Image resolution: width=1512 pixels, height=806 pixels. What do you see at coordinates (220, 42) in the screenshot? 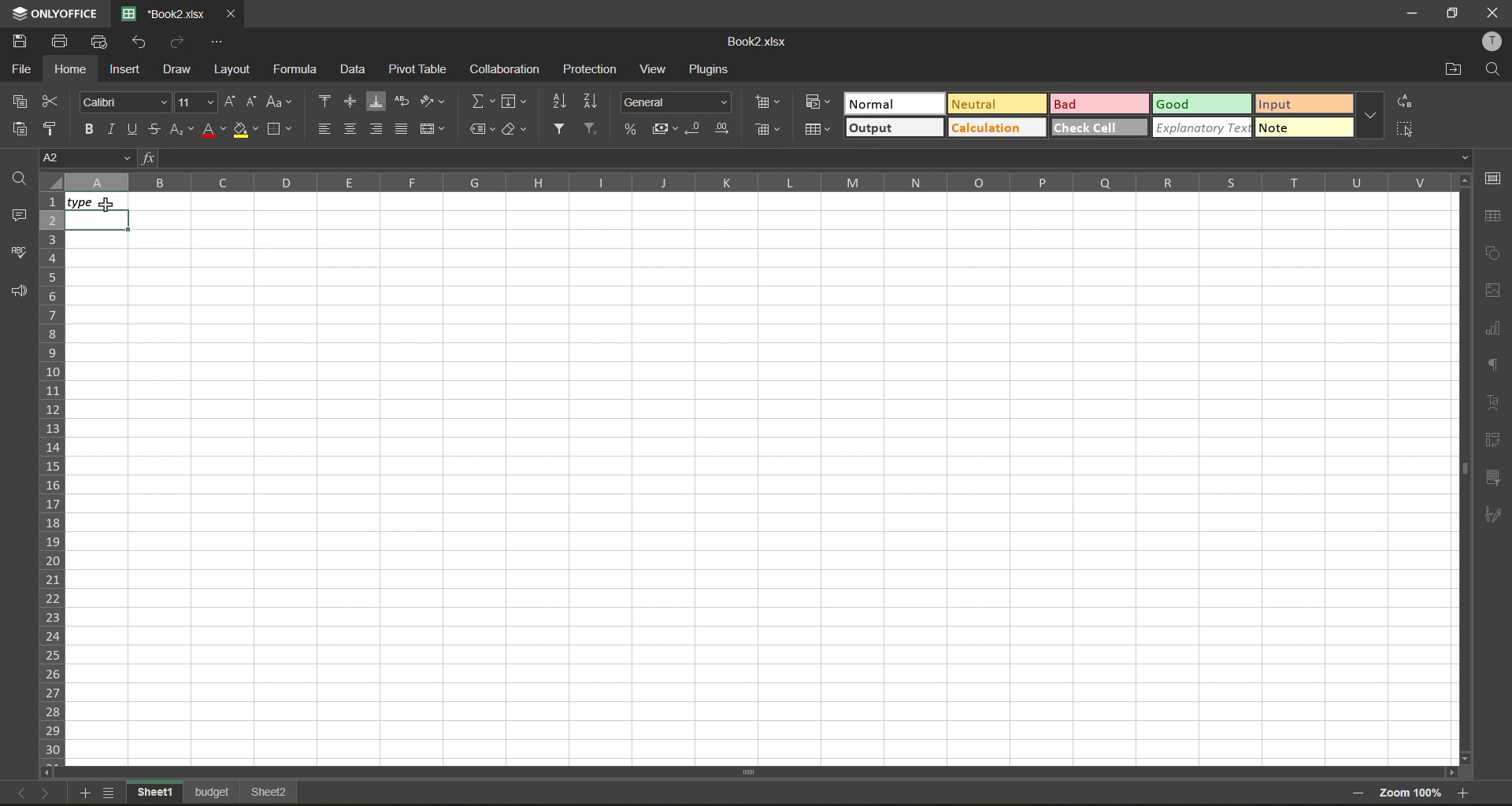
I see `customize quick access toolbar` at bounding box center [220, 42].